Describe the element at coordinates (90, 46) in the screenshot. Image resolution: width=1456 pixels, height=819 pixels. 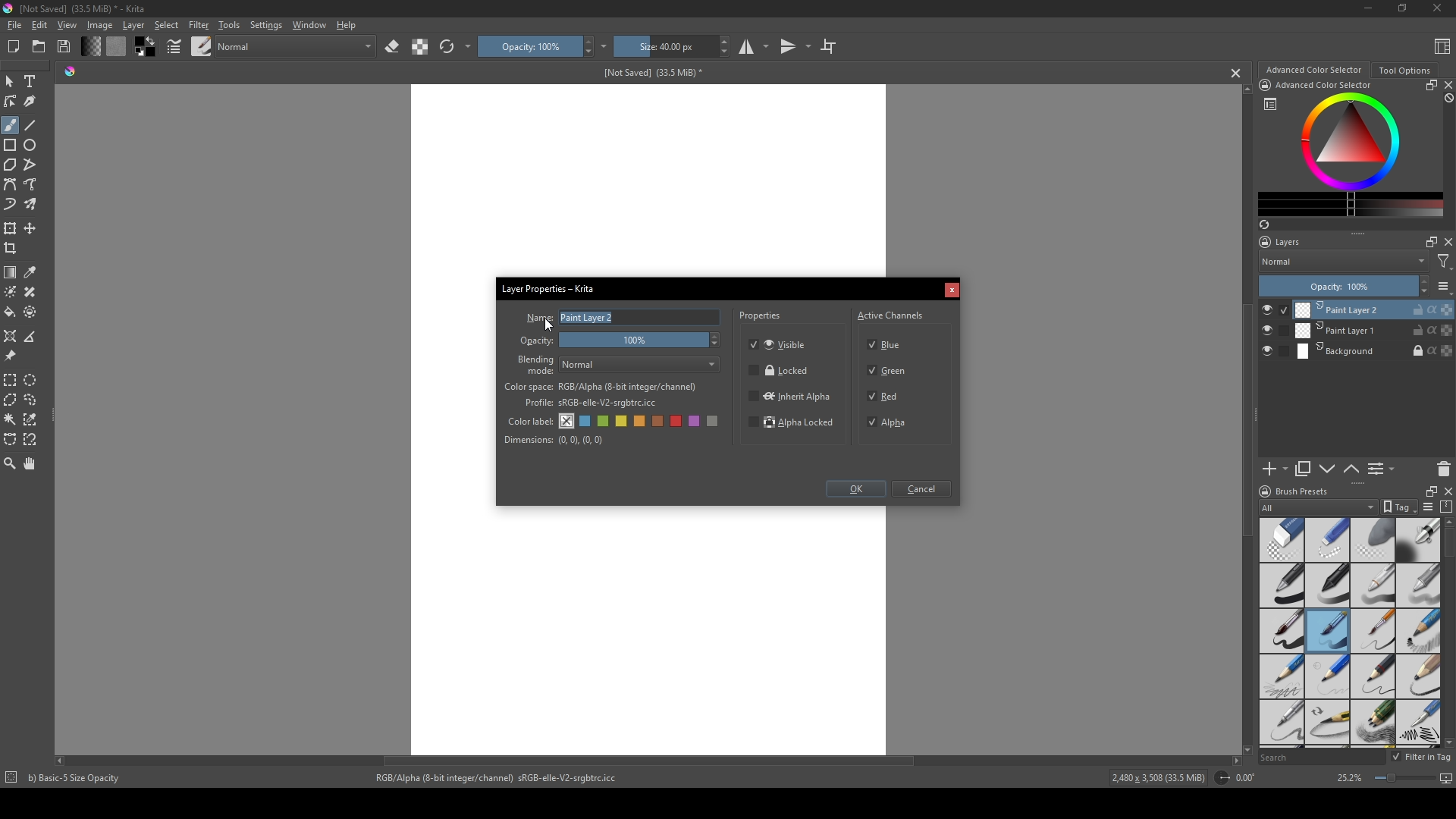
I see `change shade` at that location.